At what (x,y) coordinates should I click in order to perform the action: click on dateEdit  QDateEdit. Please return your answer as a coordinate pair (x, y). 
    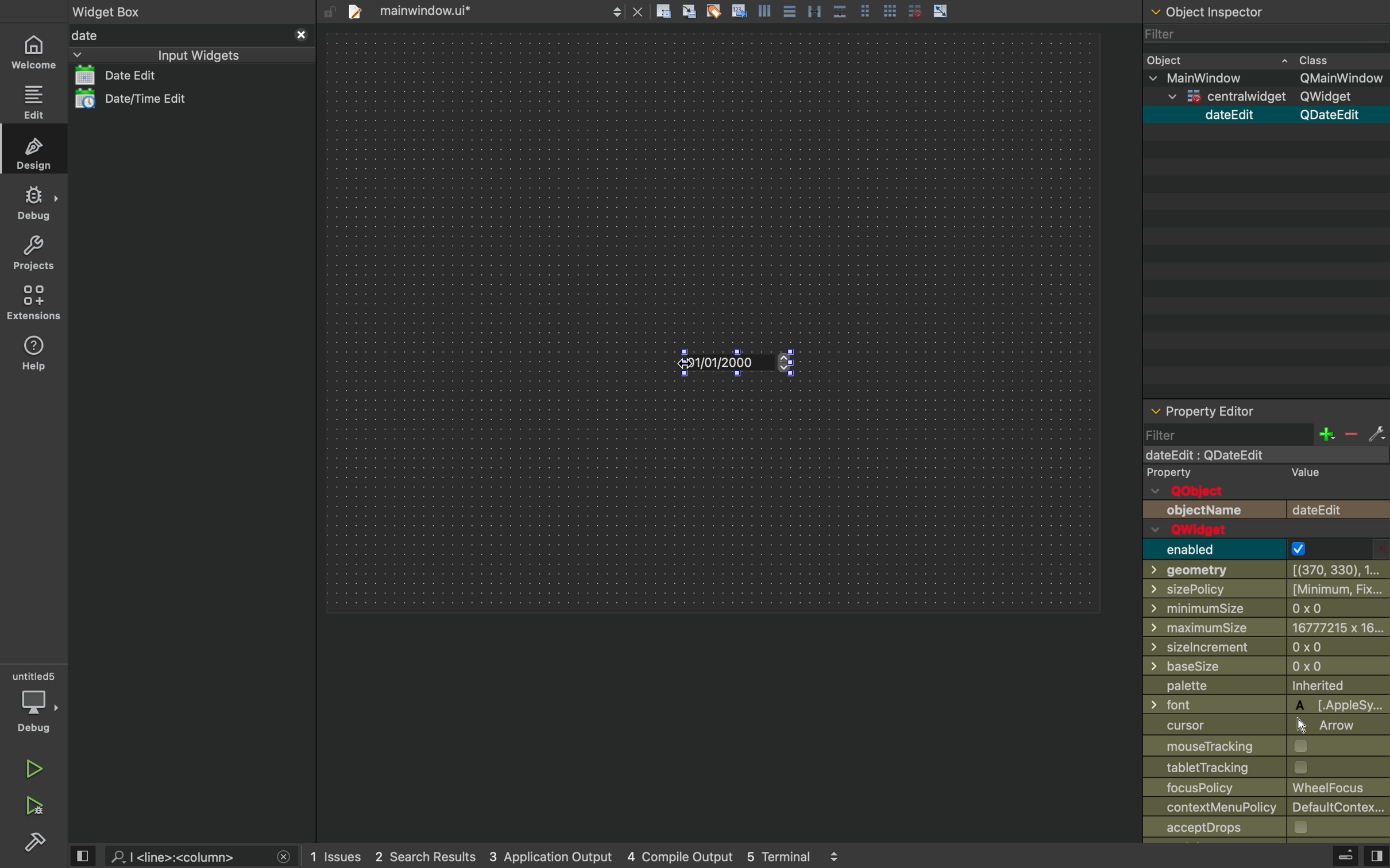
    Looking at the image, I should click on (1285, 115).